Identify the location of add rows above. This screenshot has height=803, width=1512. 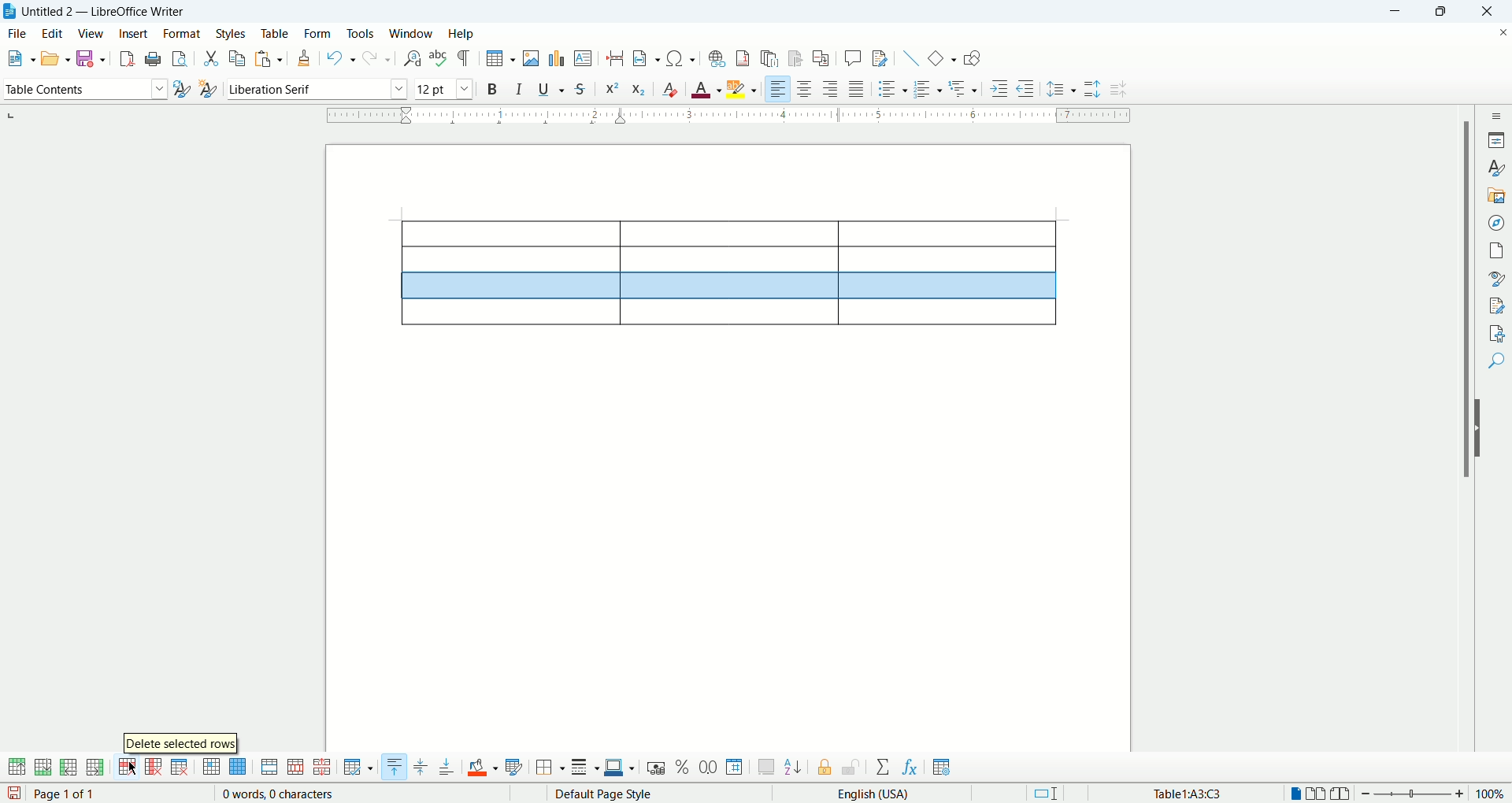
(16, 768).